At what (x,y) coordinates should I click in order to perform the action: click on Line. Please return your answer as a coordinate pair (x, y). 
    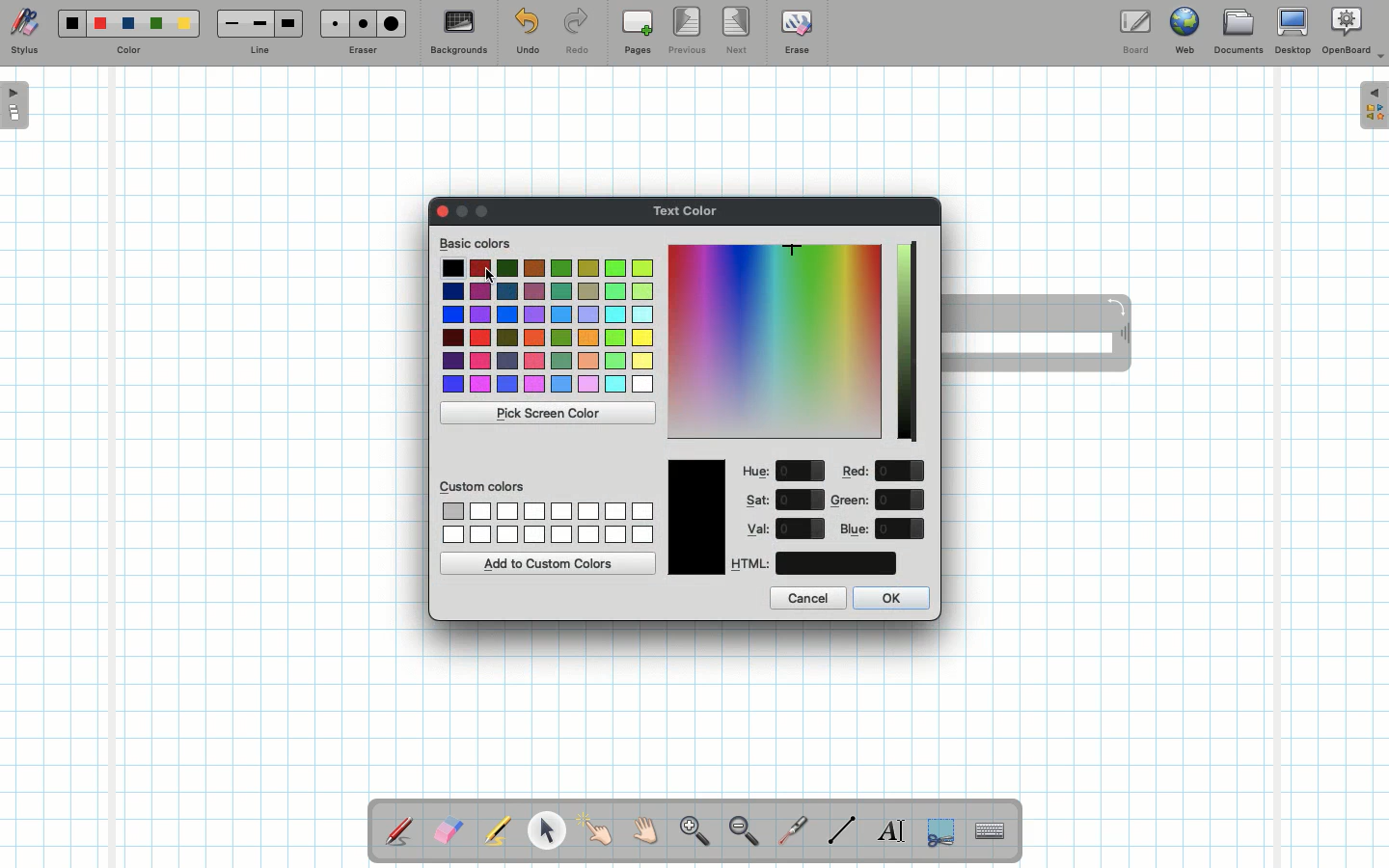
    Looking at the image, I should click on (842, 829).